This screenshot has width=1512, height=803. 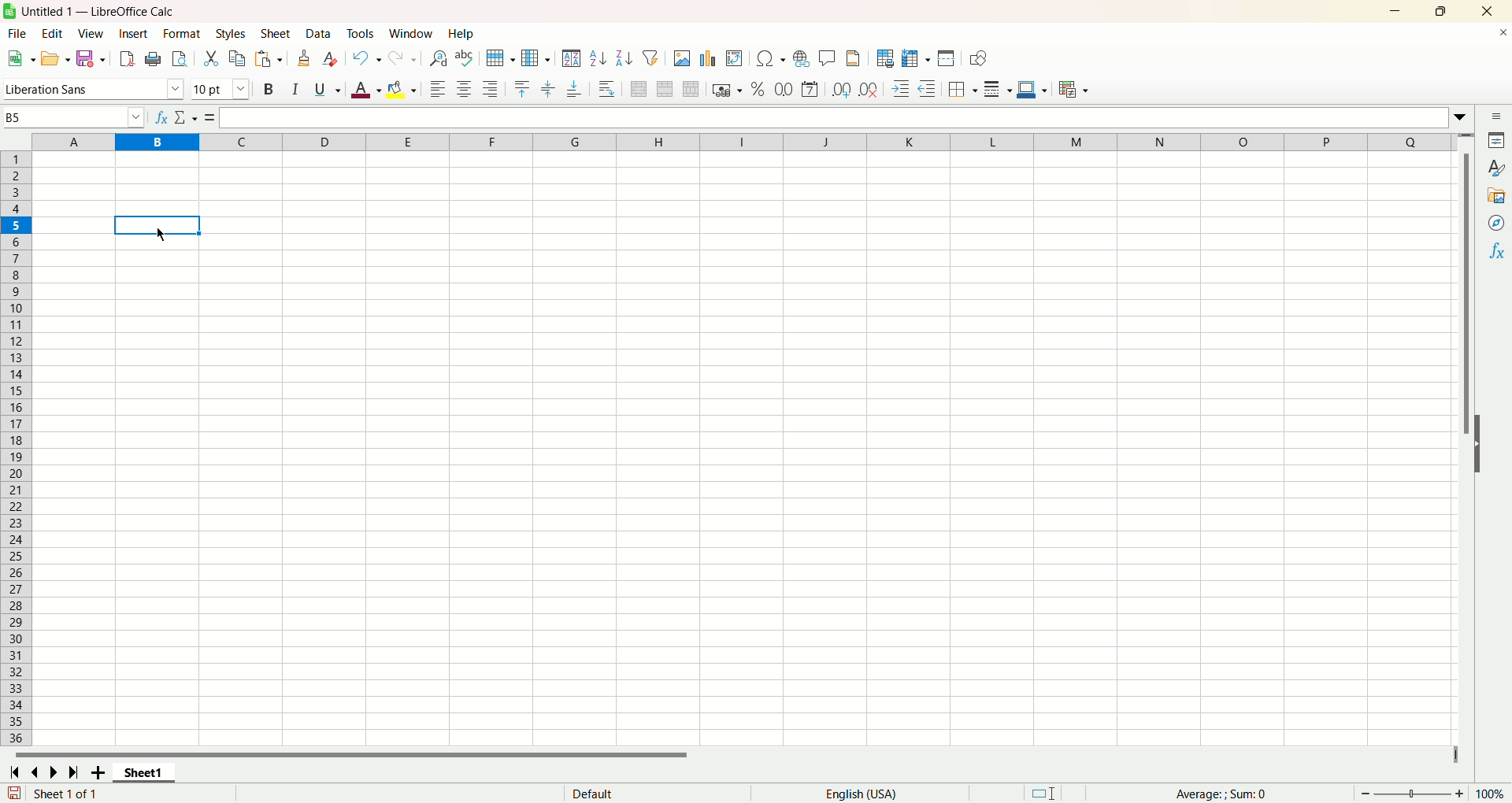 What do you see at coordinates (211, 118) in the screenshot?
I see `formula` at bounding box center [211, 118].